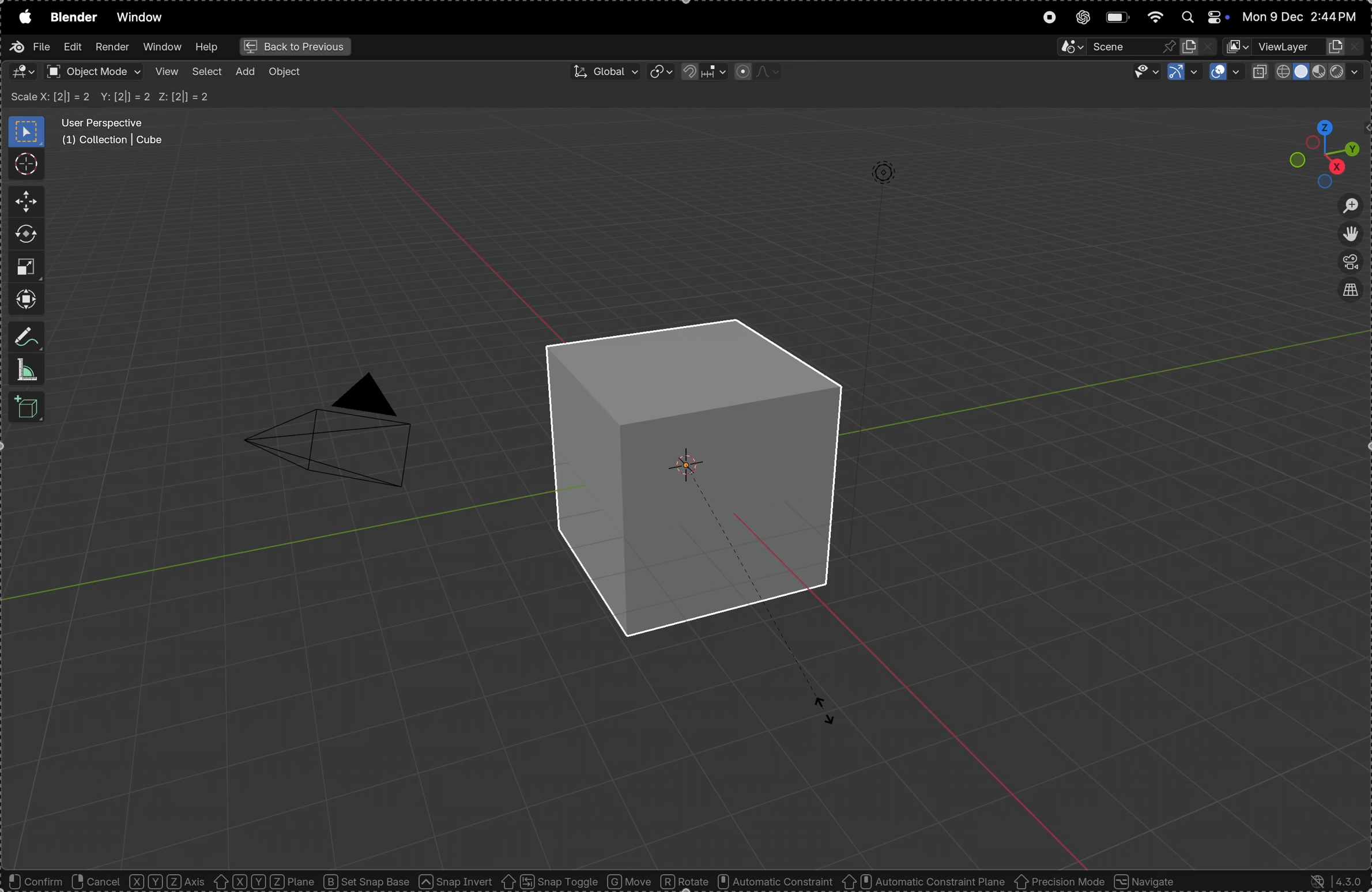 This screenshot has width=1372, height=892. I want to click on record, so click(1047, 20).